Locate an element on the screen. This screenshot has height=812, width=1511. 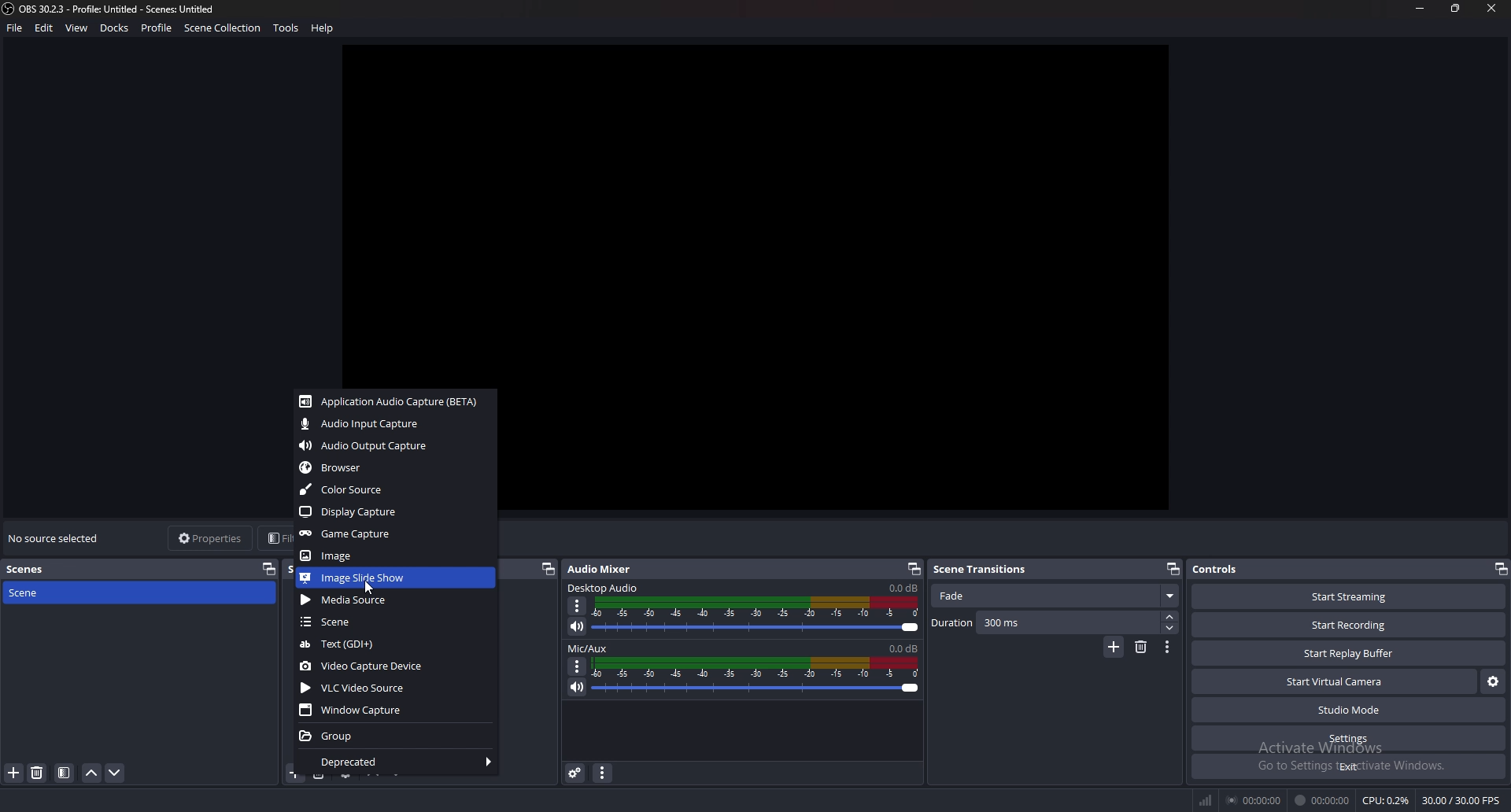
configure virtual camera is located at coordinates (1494, 682).